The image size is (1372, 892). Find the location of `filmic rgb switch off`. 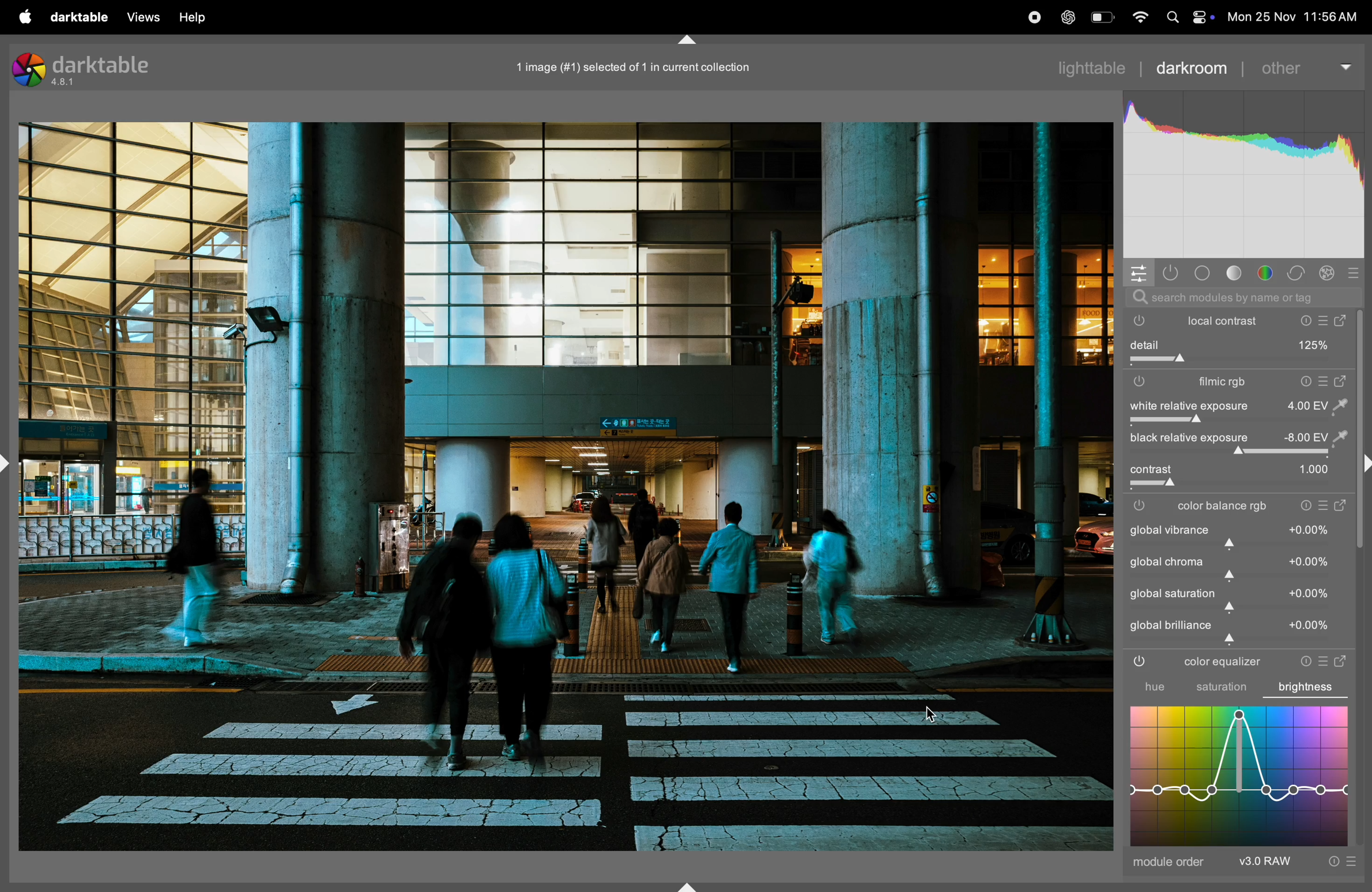

filmic rgb switch off is located at coordinates (1140, 381).